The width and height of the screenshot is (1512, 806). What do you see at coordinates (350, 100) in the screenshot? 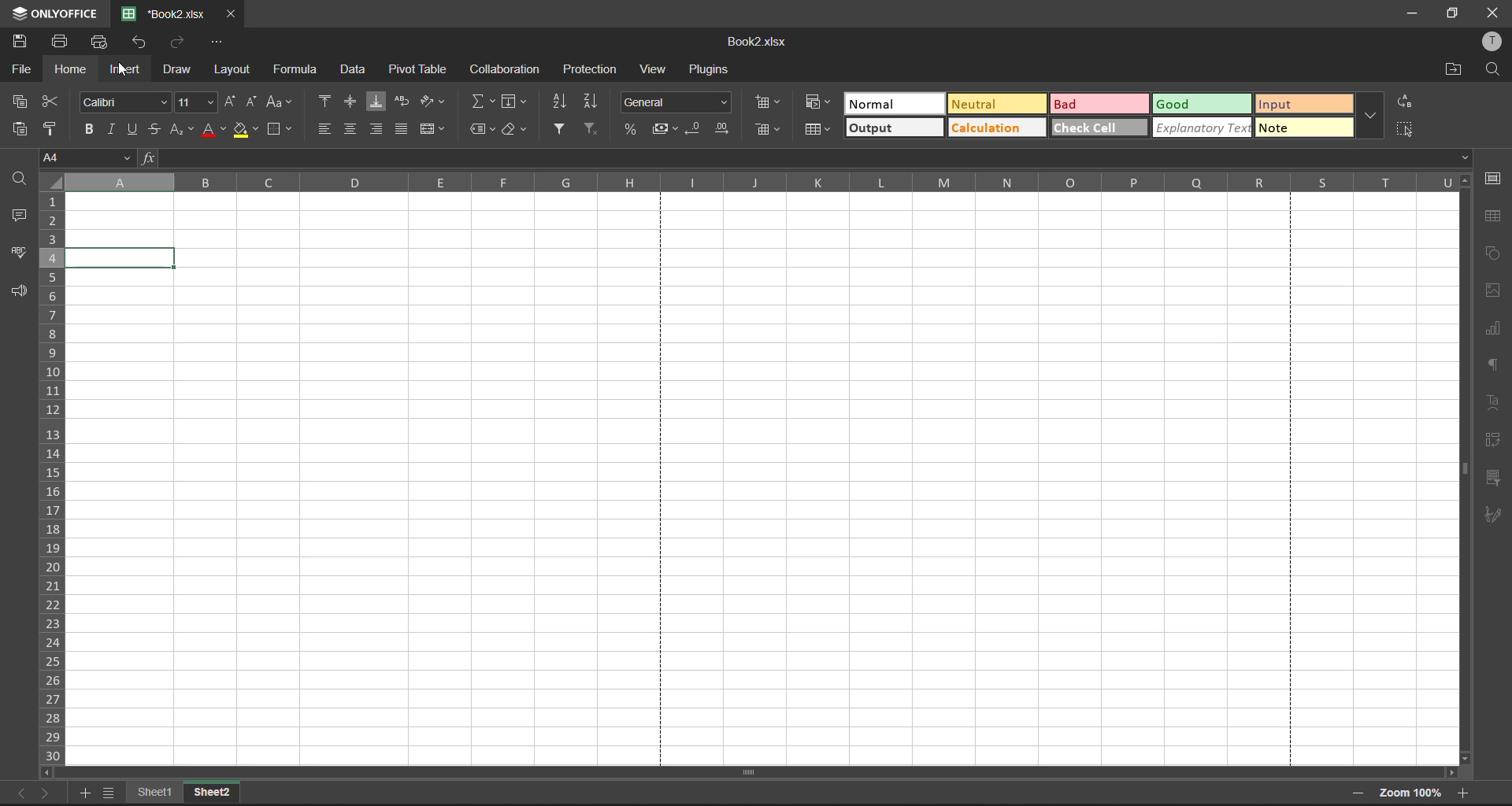
I see `align middle` at bounding box center [350, 100].